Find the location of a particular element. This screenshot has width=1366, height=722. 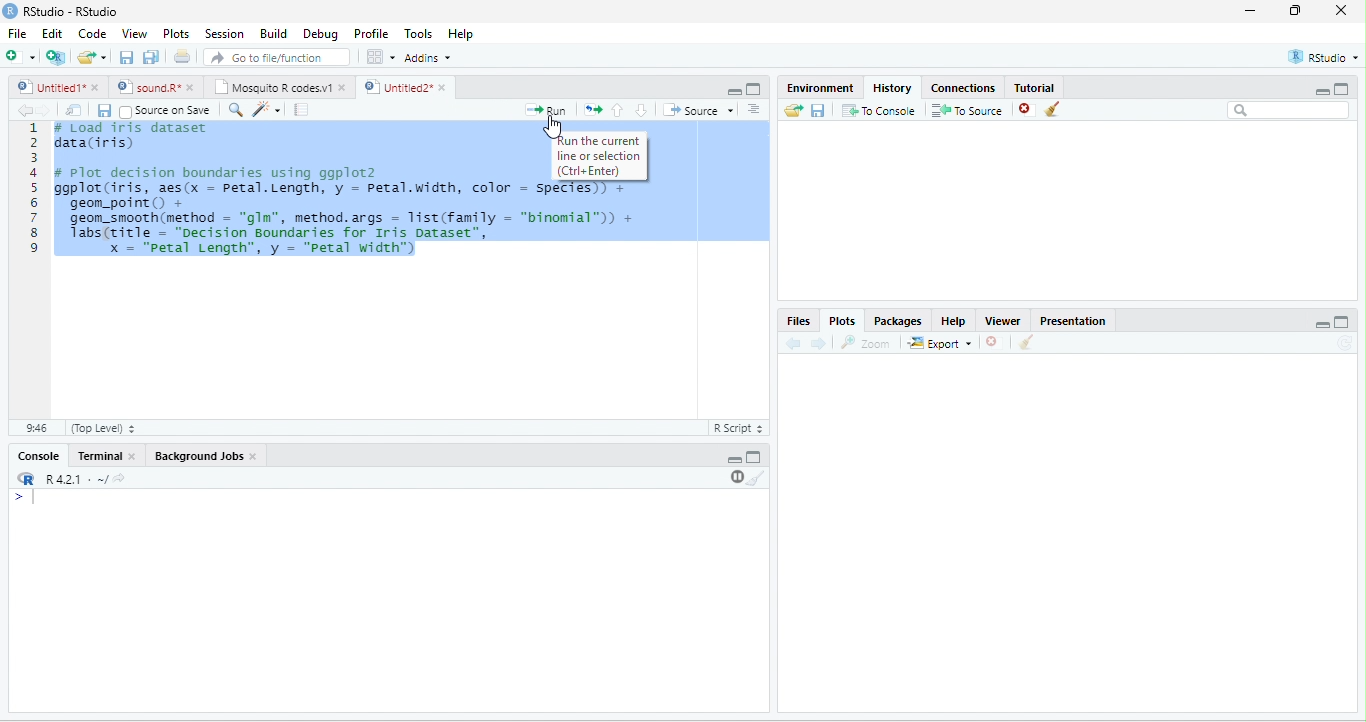

search file is located at coordinates (278, 57).